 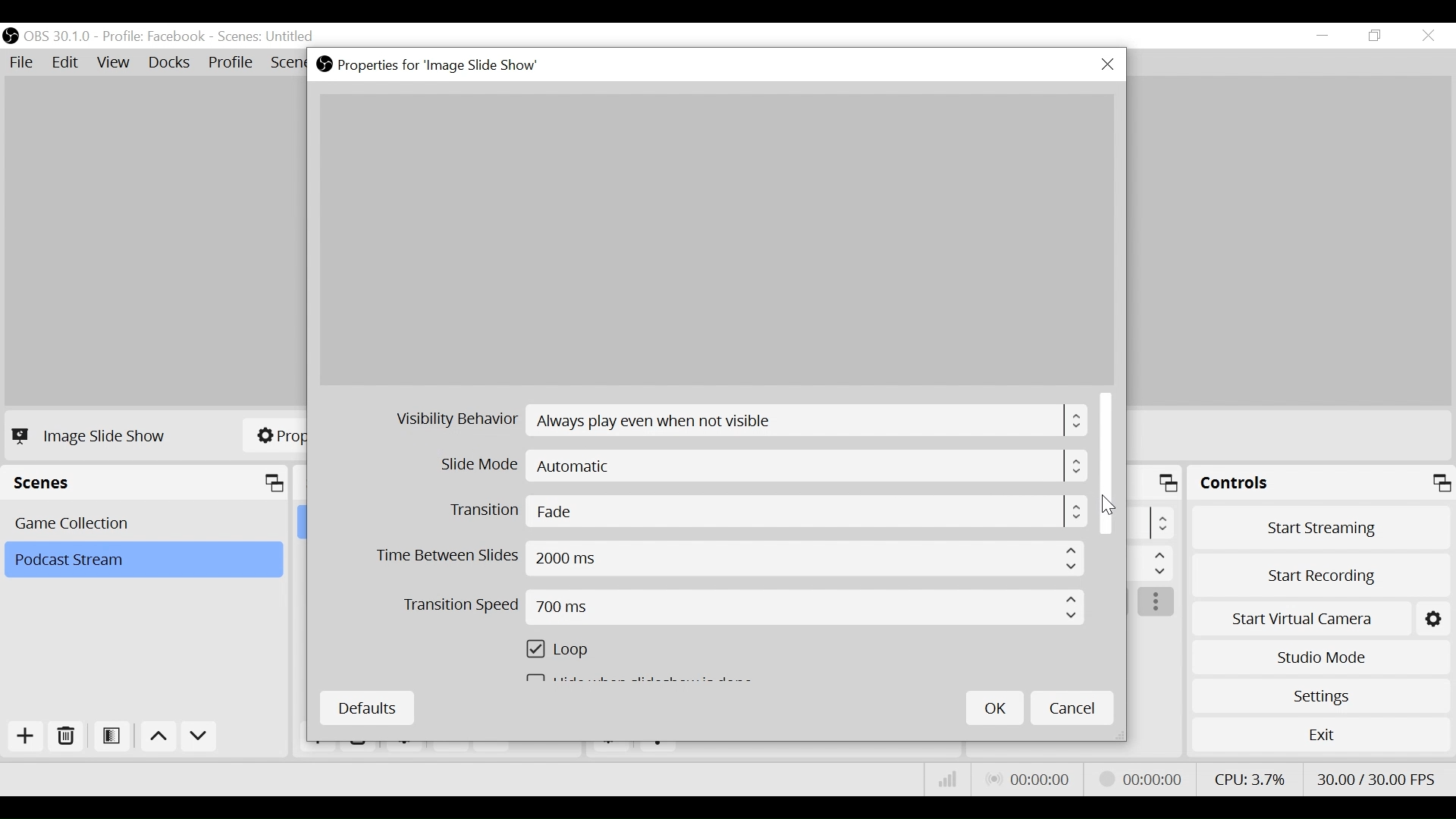 I want to click on Close, so click(x=1107, y=65).